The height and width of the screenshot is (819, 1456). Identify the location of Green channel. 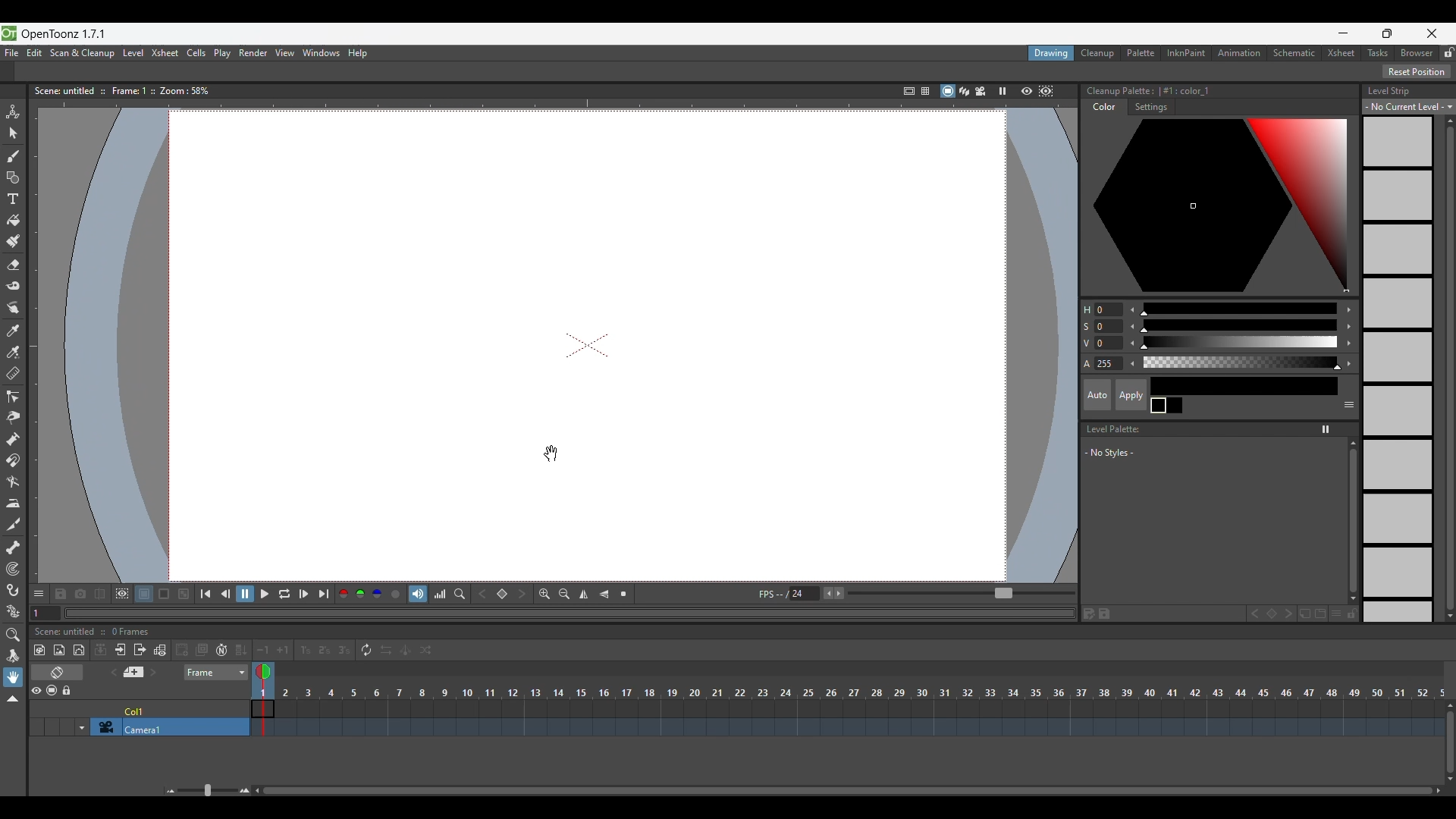
(360, 591).